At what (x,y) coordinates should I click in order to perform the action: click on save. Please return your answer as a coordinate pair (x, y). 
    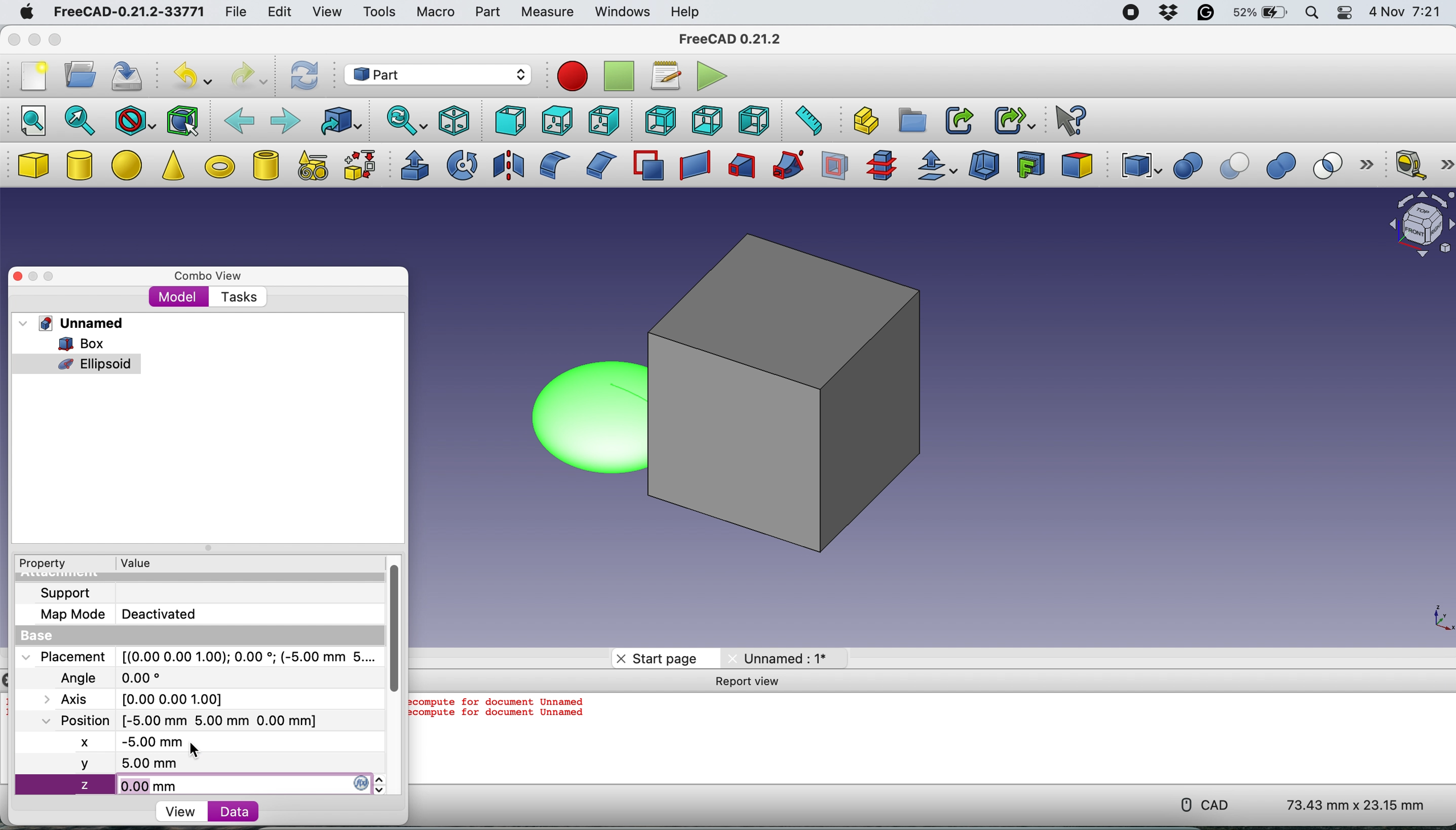
    Looking at the image, I should click on (129, 78).